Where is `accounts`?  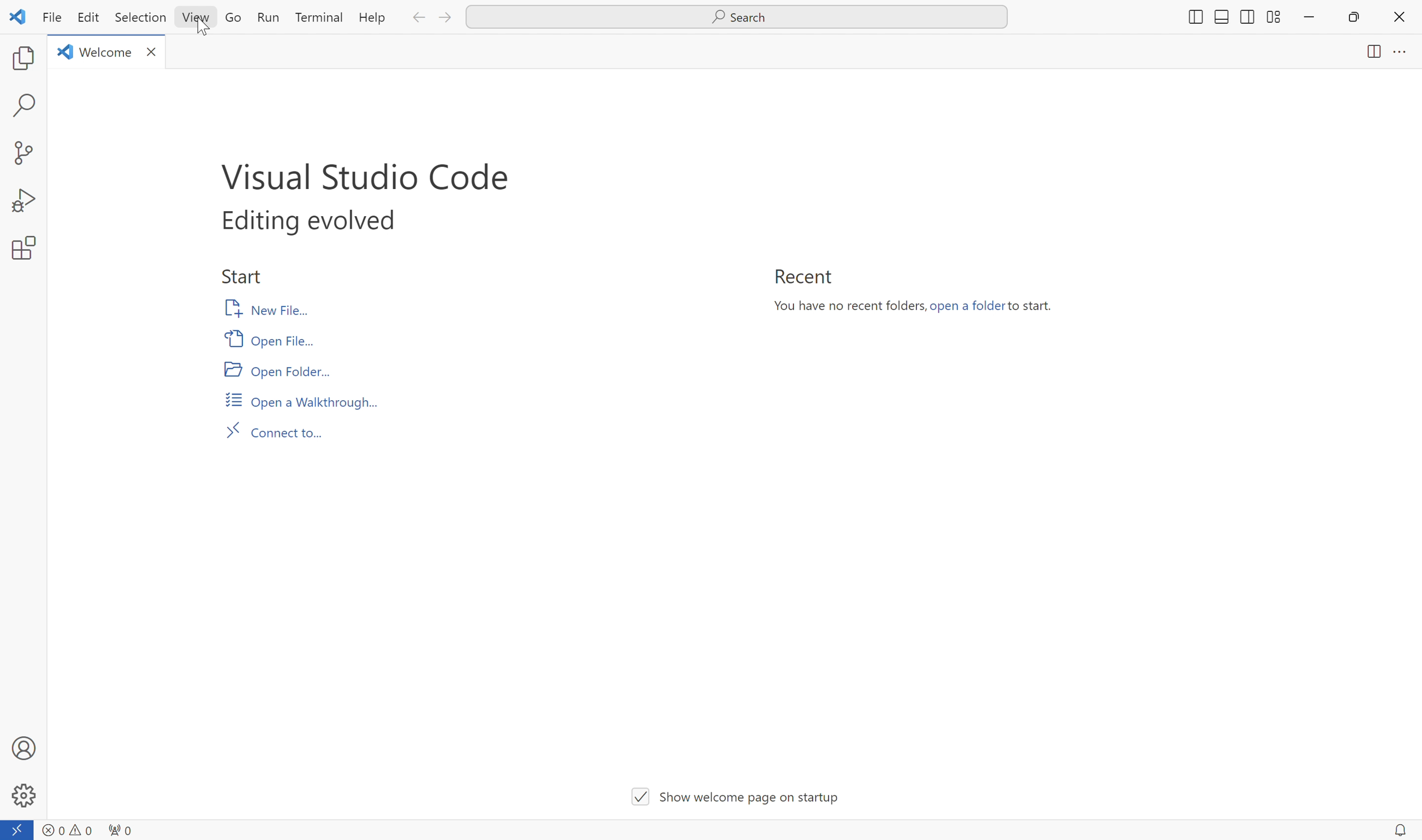
accounts is located at coordinates (26, 748).